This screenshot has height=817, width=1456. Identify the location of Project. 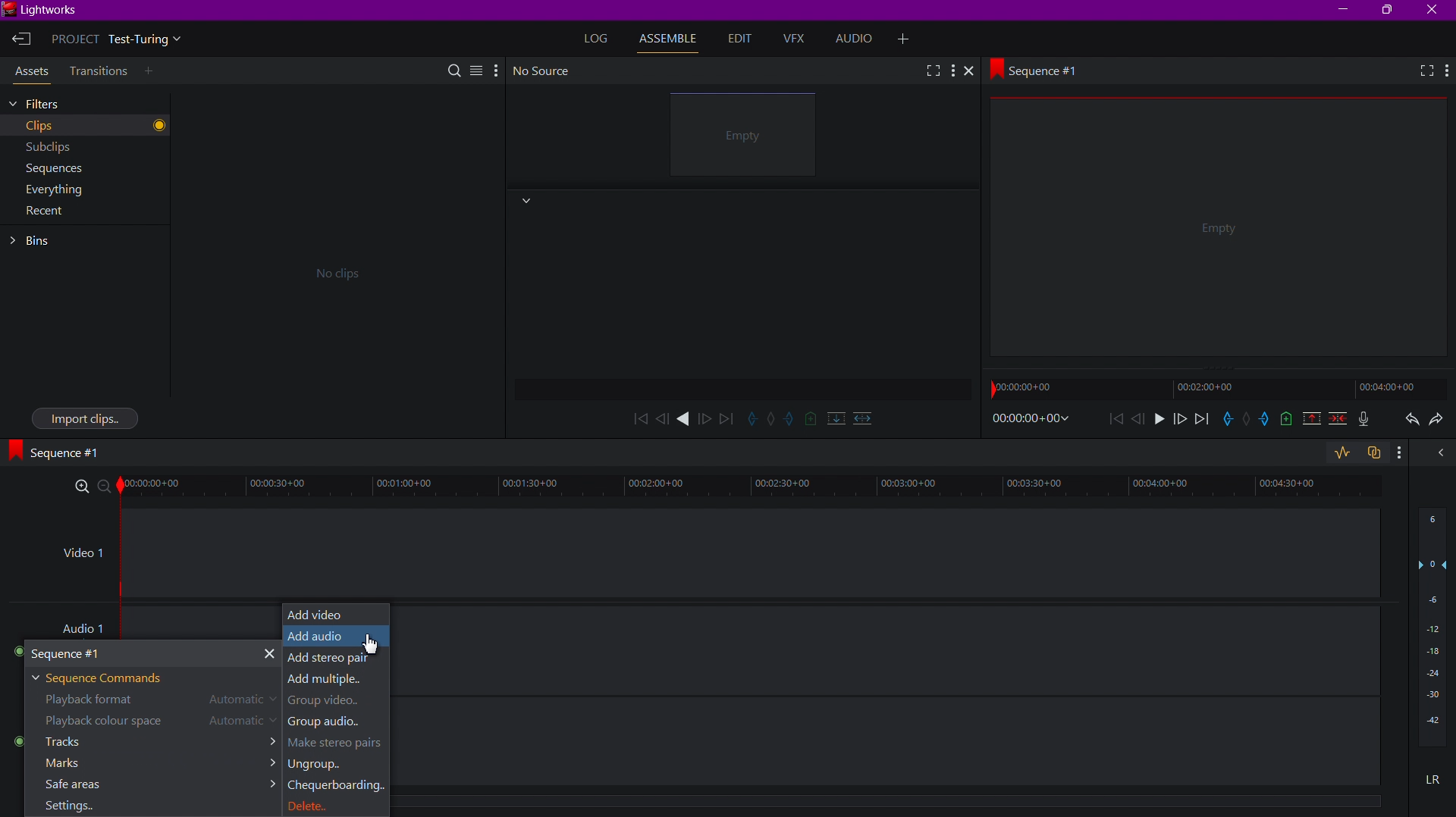
(121, 41).